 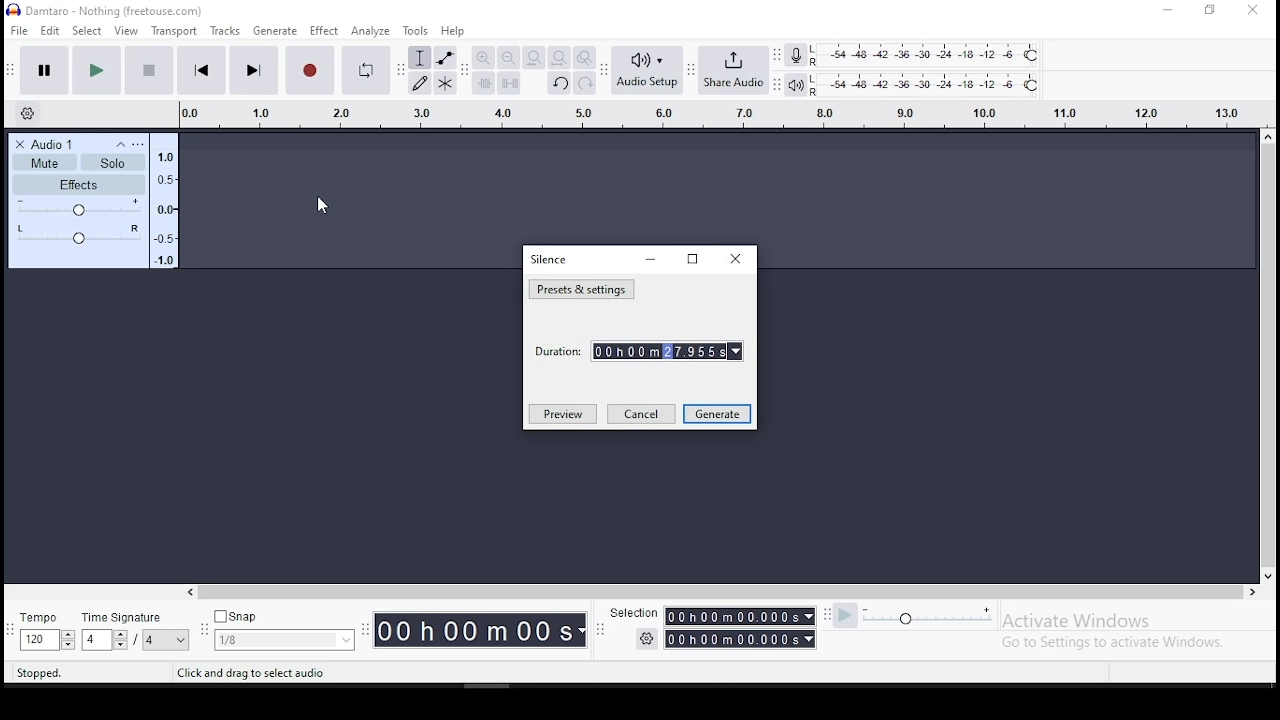 I want to click on skip to end, so click(x=254, y=70).